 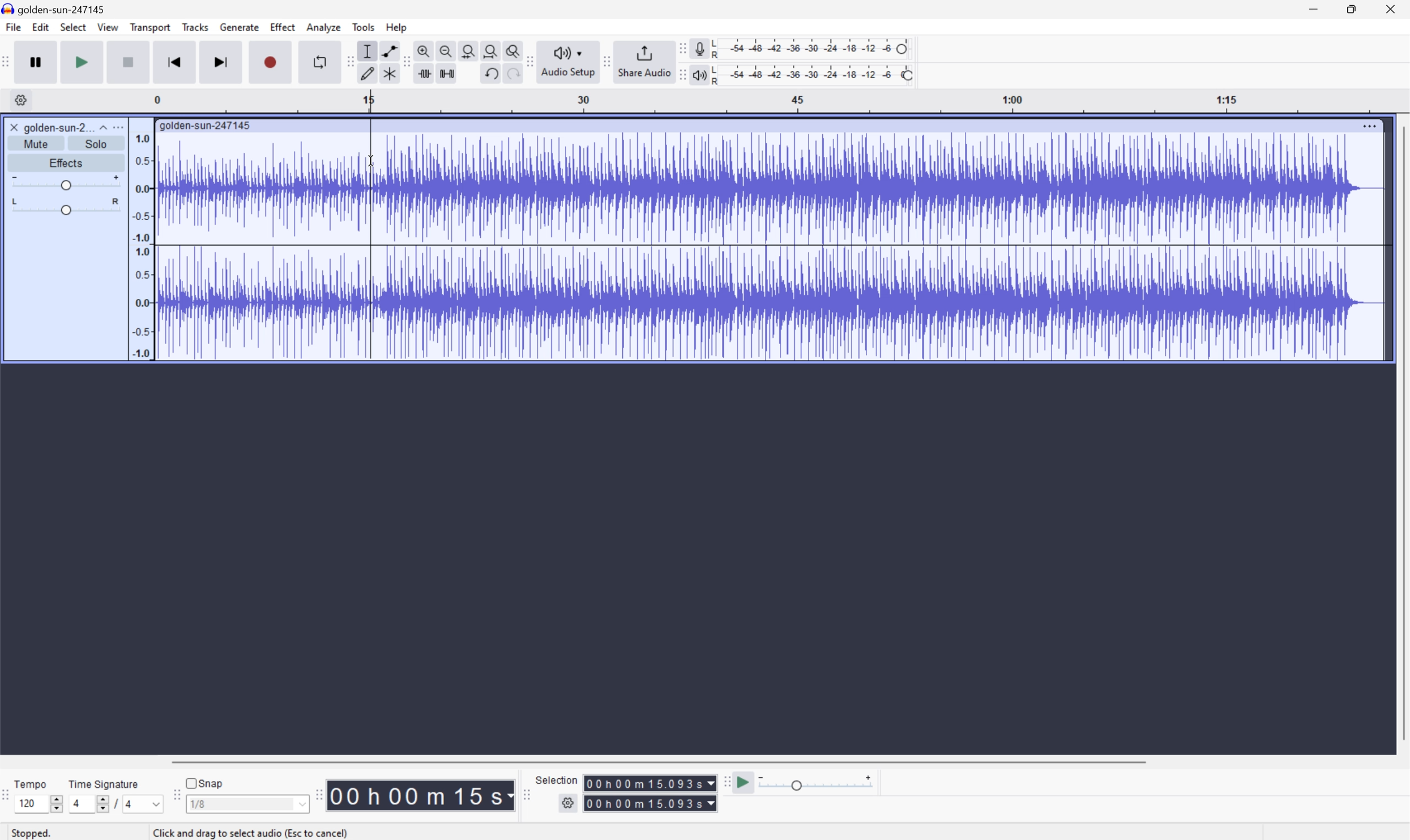 What do you see at coordinates (130, 805) in the screenshot?
I see `4` at bounding box center [130, 805].